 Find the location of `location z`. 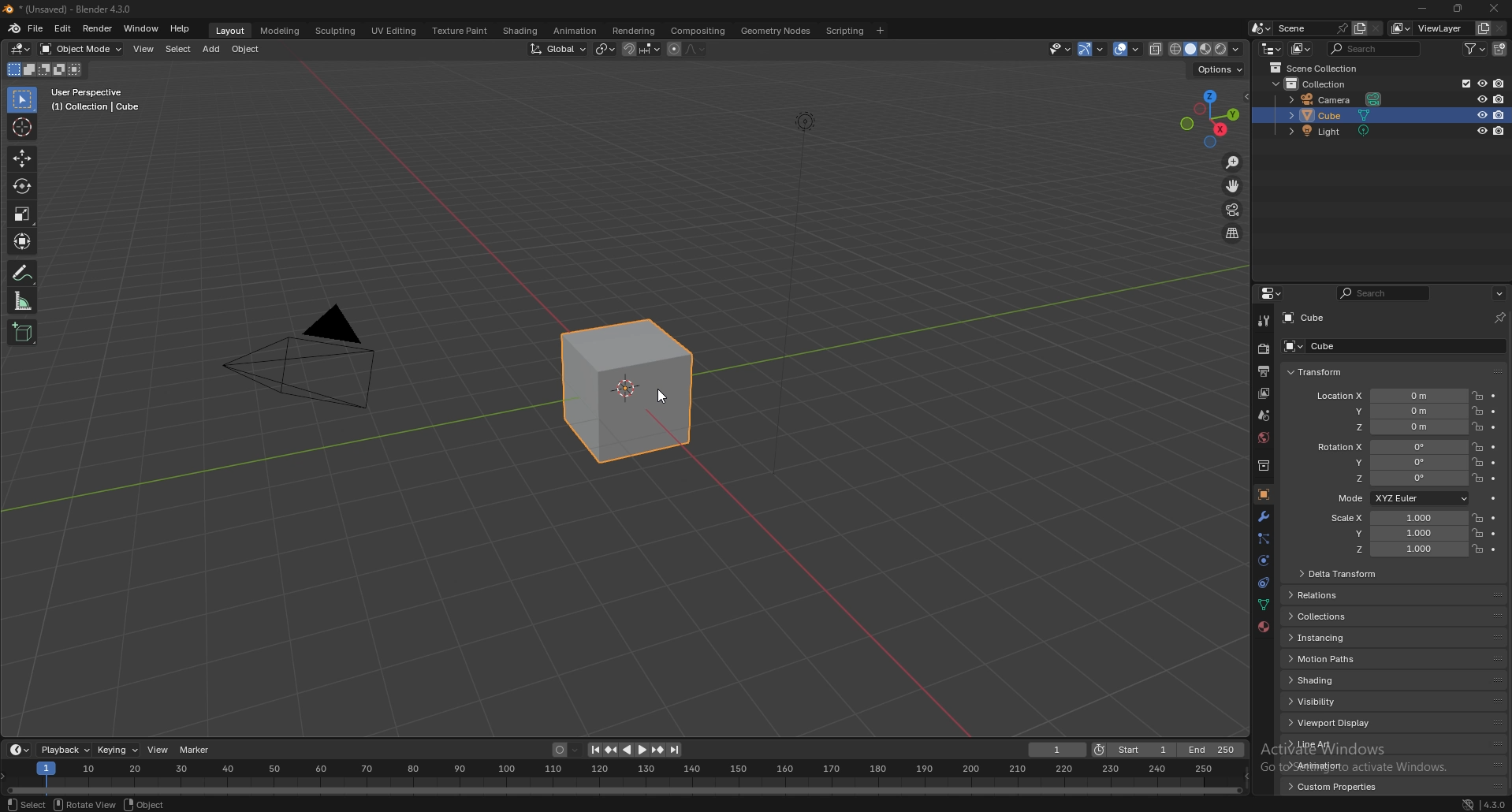

location z is located at coordinates (1393, 426).